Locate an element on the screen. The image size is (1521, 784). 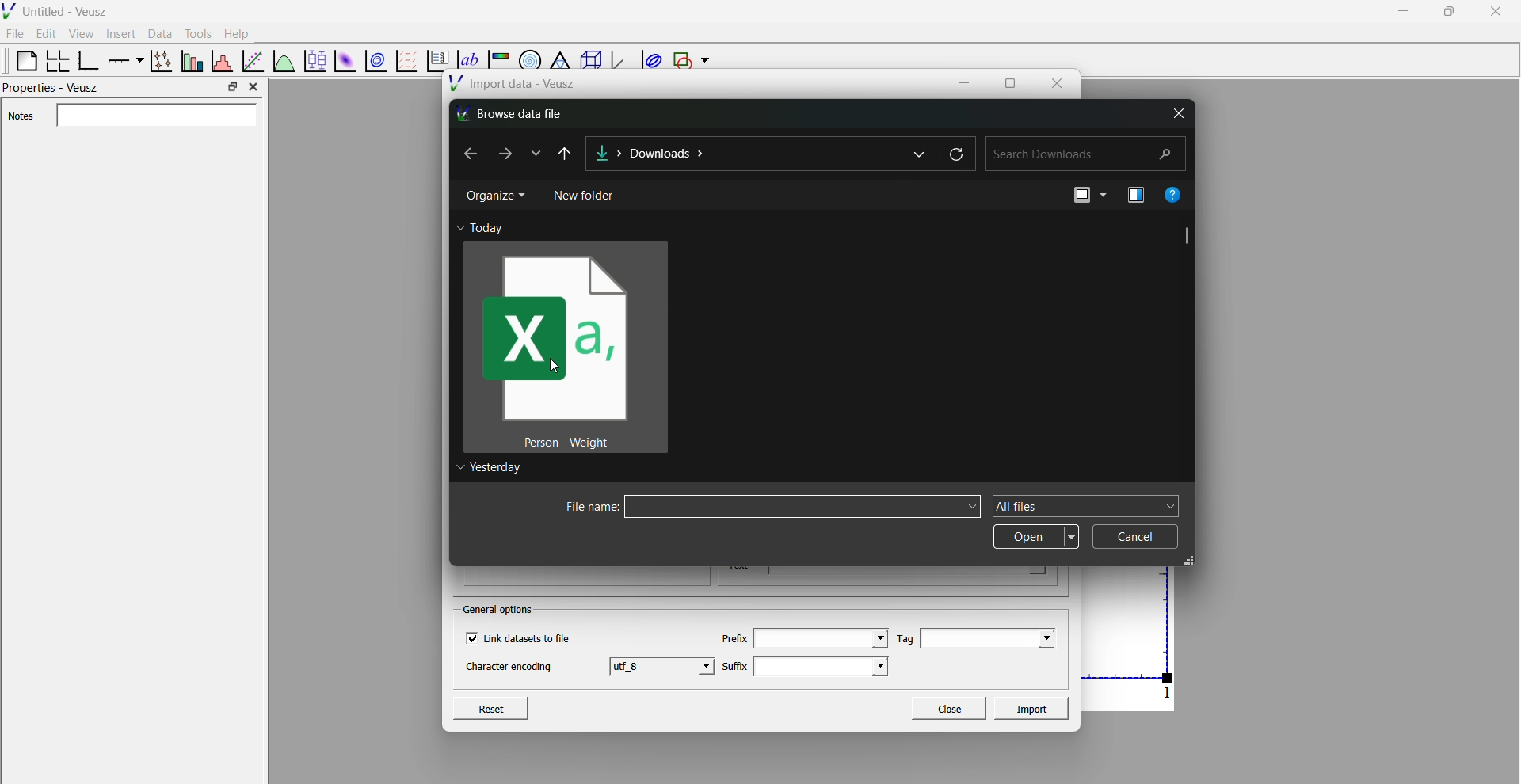
blank page is located at coordinates (20, 60).